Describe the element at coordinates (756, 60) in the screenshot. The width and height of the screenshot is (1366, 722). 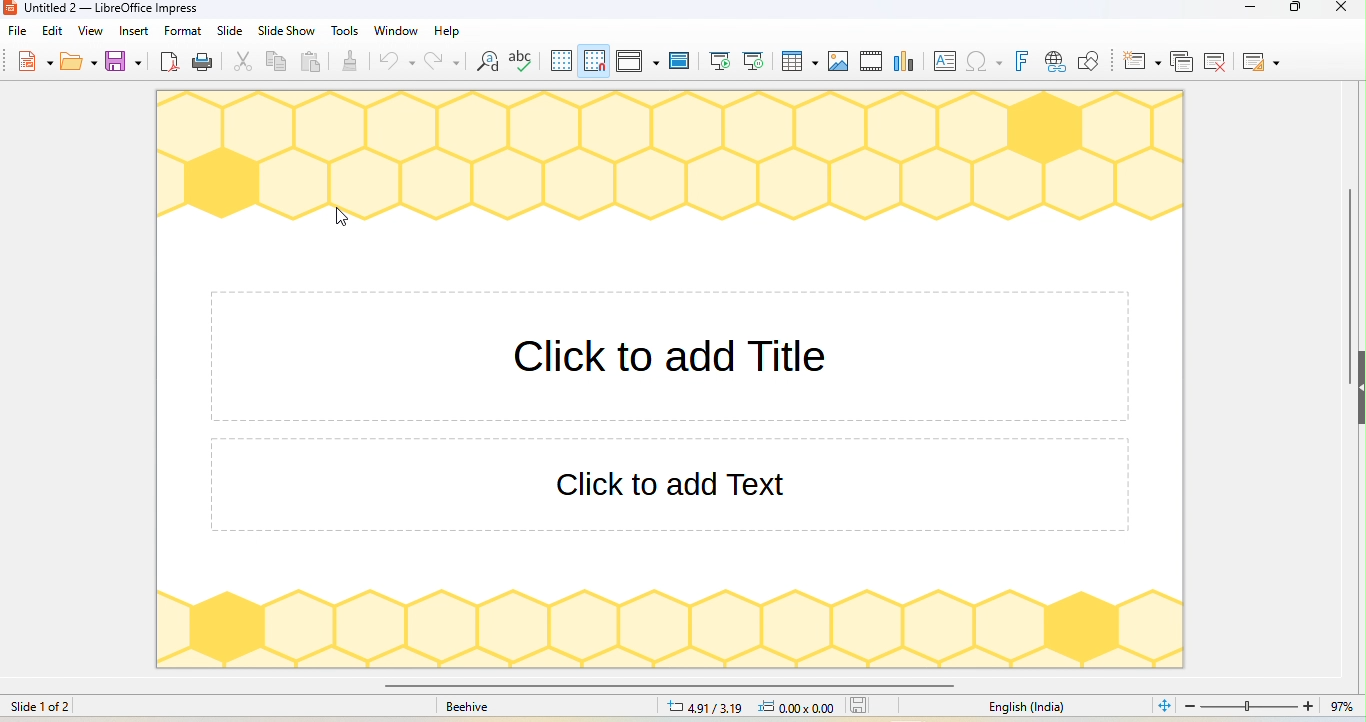
I see `start from current` at that location.